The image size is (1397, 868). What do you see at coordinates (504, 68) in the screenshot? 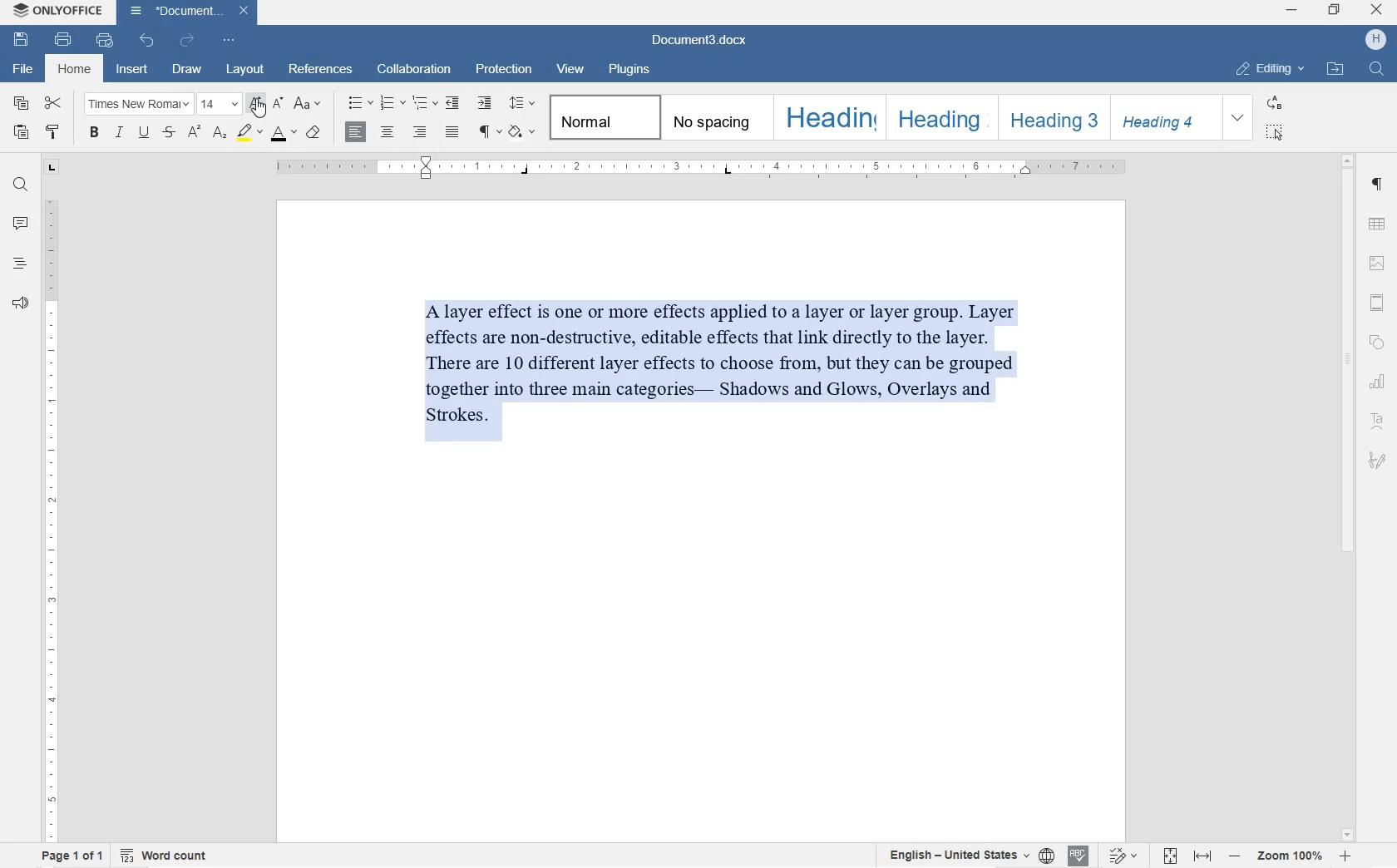
I see `protection` at bounding box center [504, 68].